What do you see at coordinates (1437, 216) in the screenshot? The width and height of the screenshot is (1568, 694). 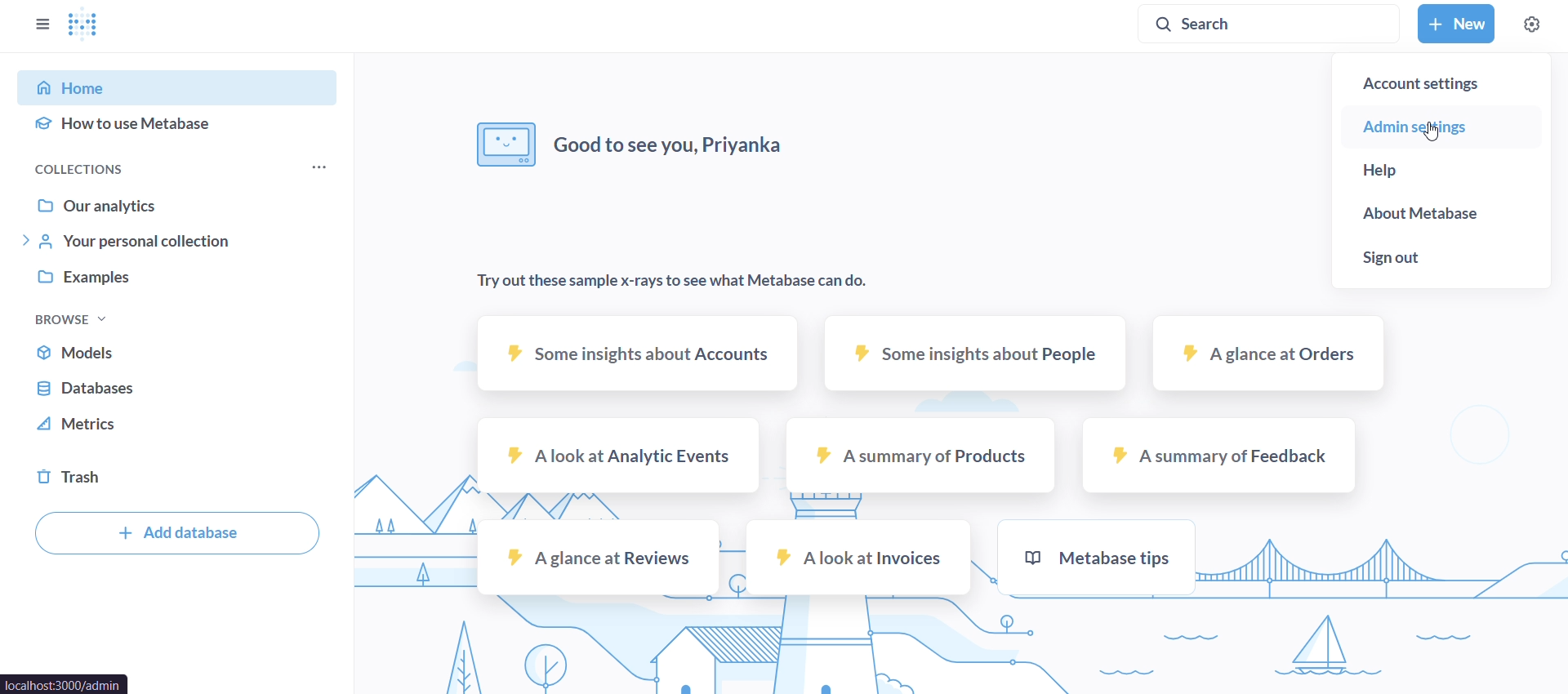 I see `about metabase` at bounding box center [1437, 216].